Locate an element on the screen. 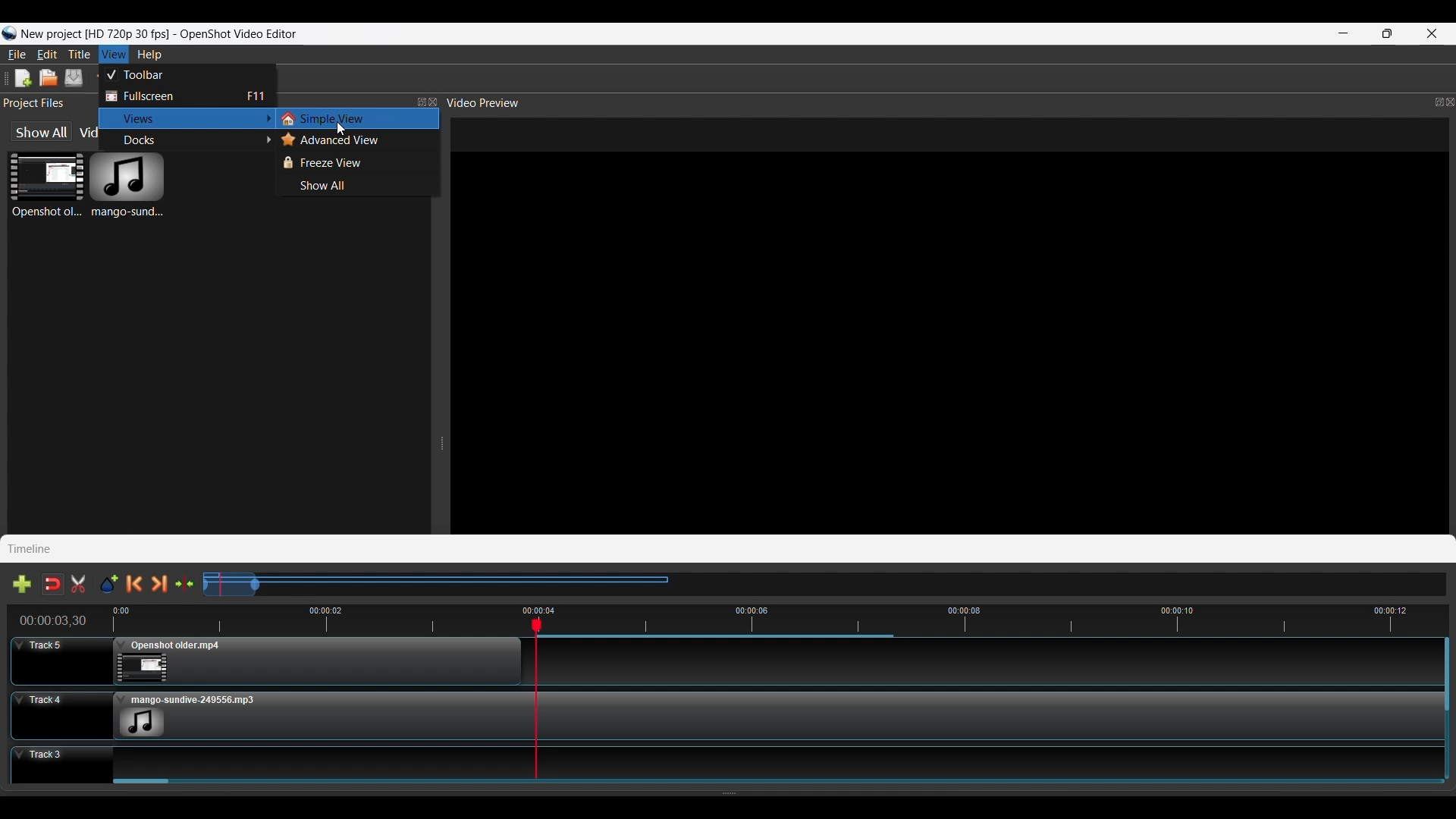  Timeline Preview is located at coordinates (731, 618).